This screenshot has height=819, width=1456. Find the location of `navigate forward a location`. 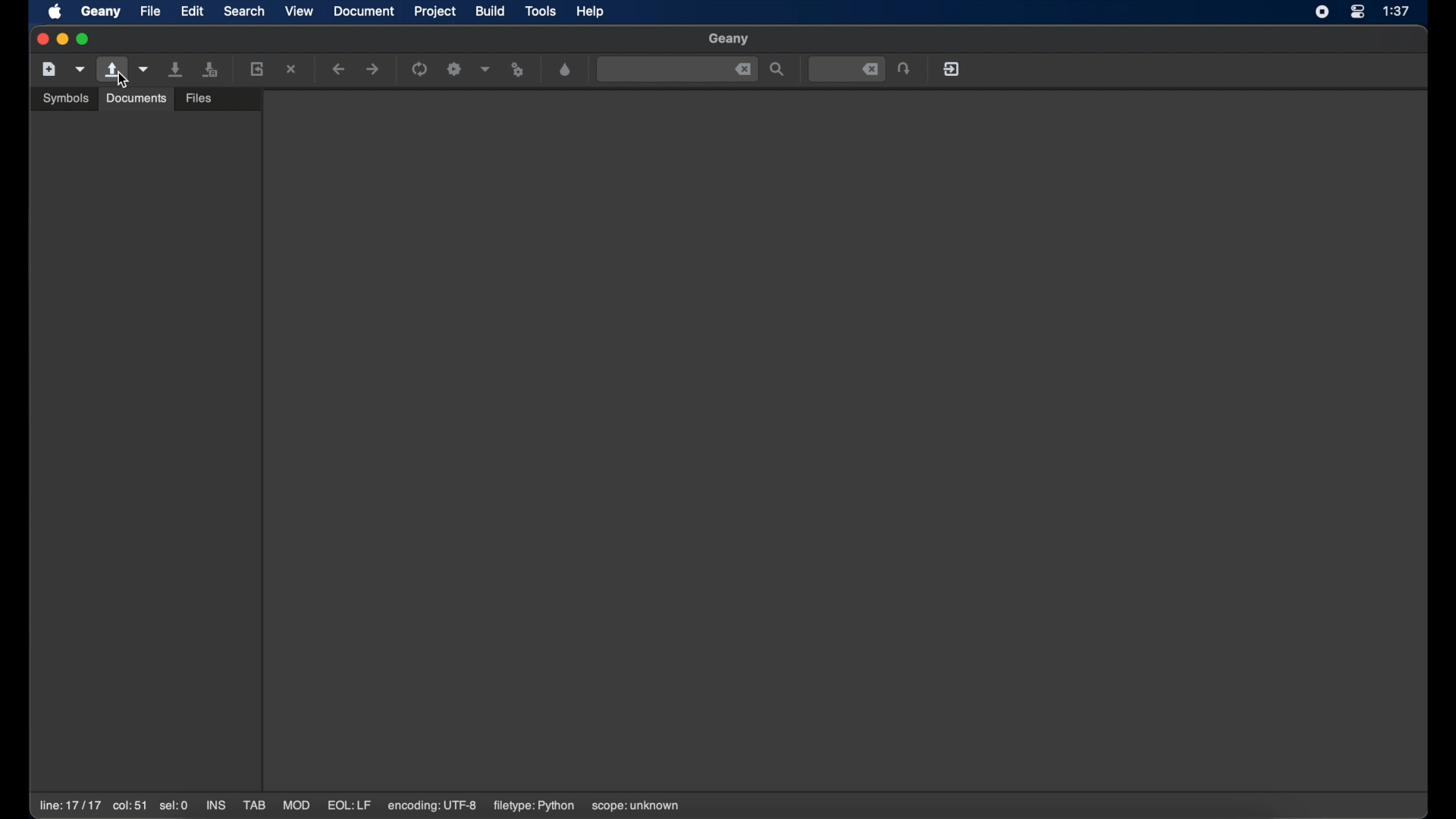

navigate forward a location is located at coordinates (373, 69).